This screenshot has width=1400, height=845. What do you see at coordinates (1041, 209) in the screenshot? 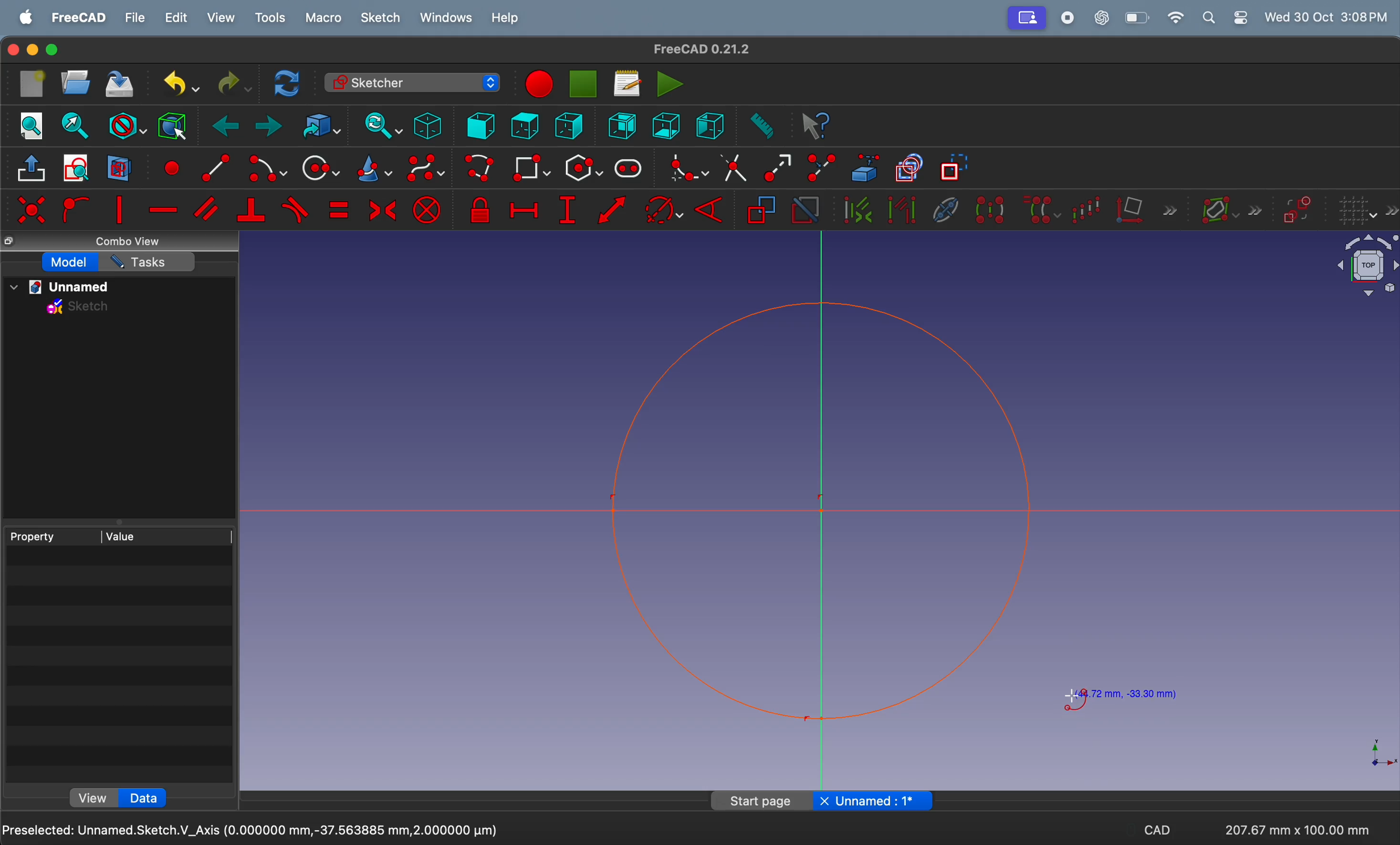
I see `clone` at bounding box center [1041, 209].